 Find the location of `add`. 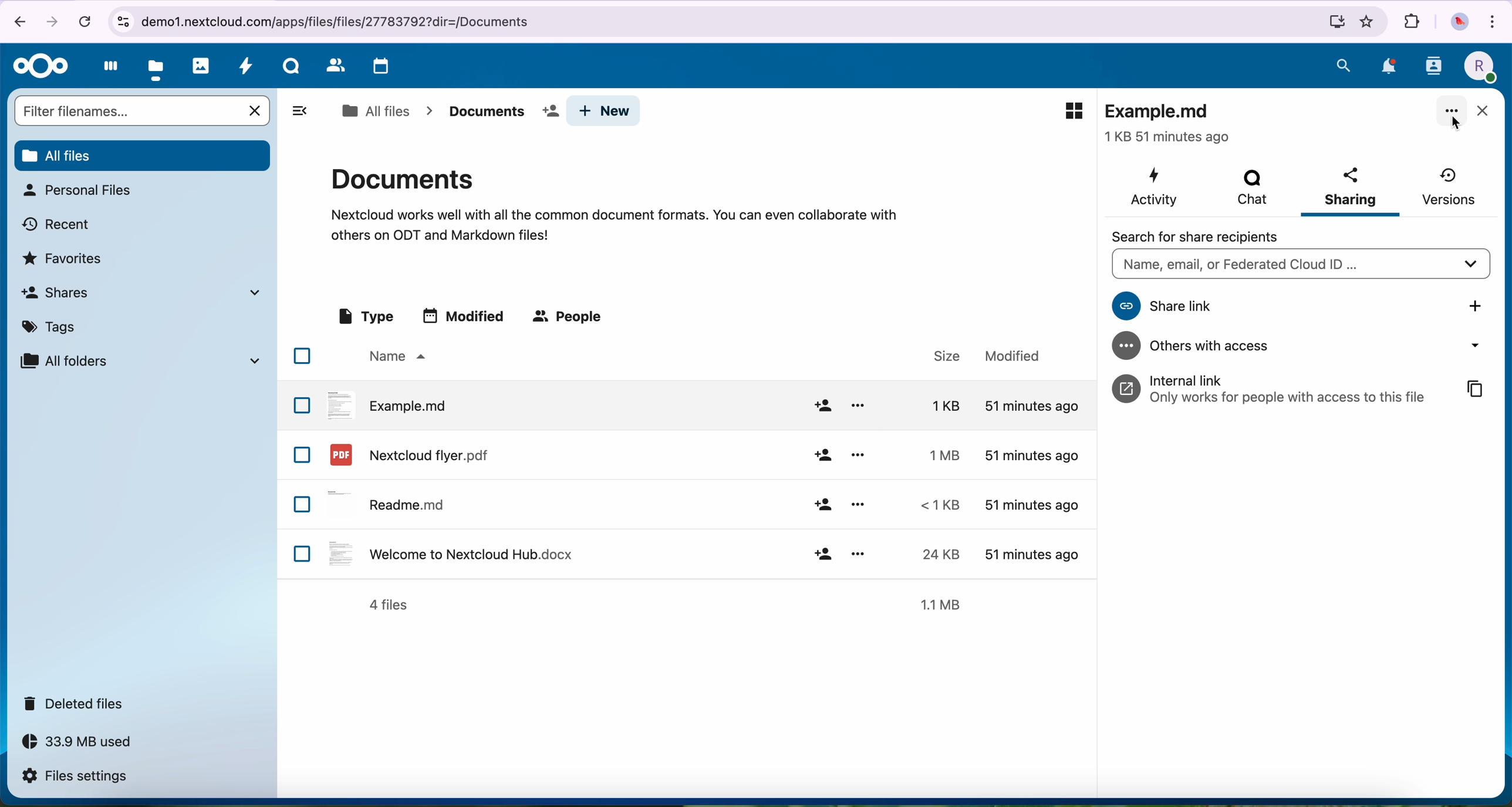

add is located at coordinates (822, 456).